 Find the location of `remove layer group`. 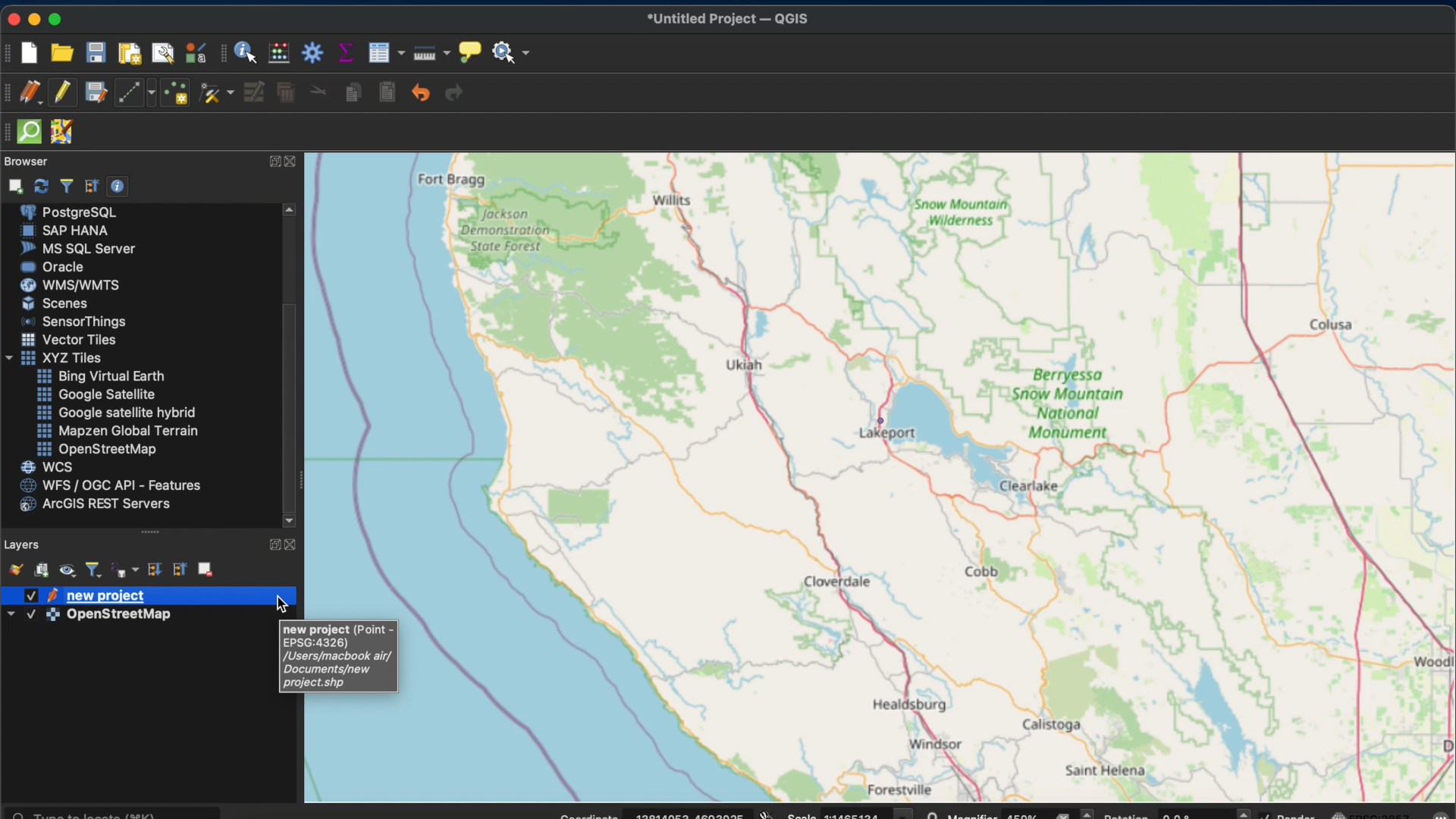

remove layer group is located at coordinates (206, 568).